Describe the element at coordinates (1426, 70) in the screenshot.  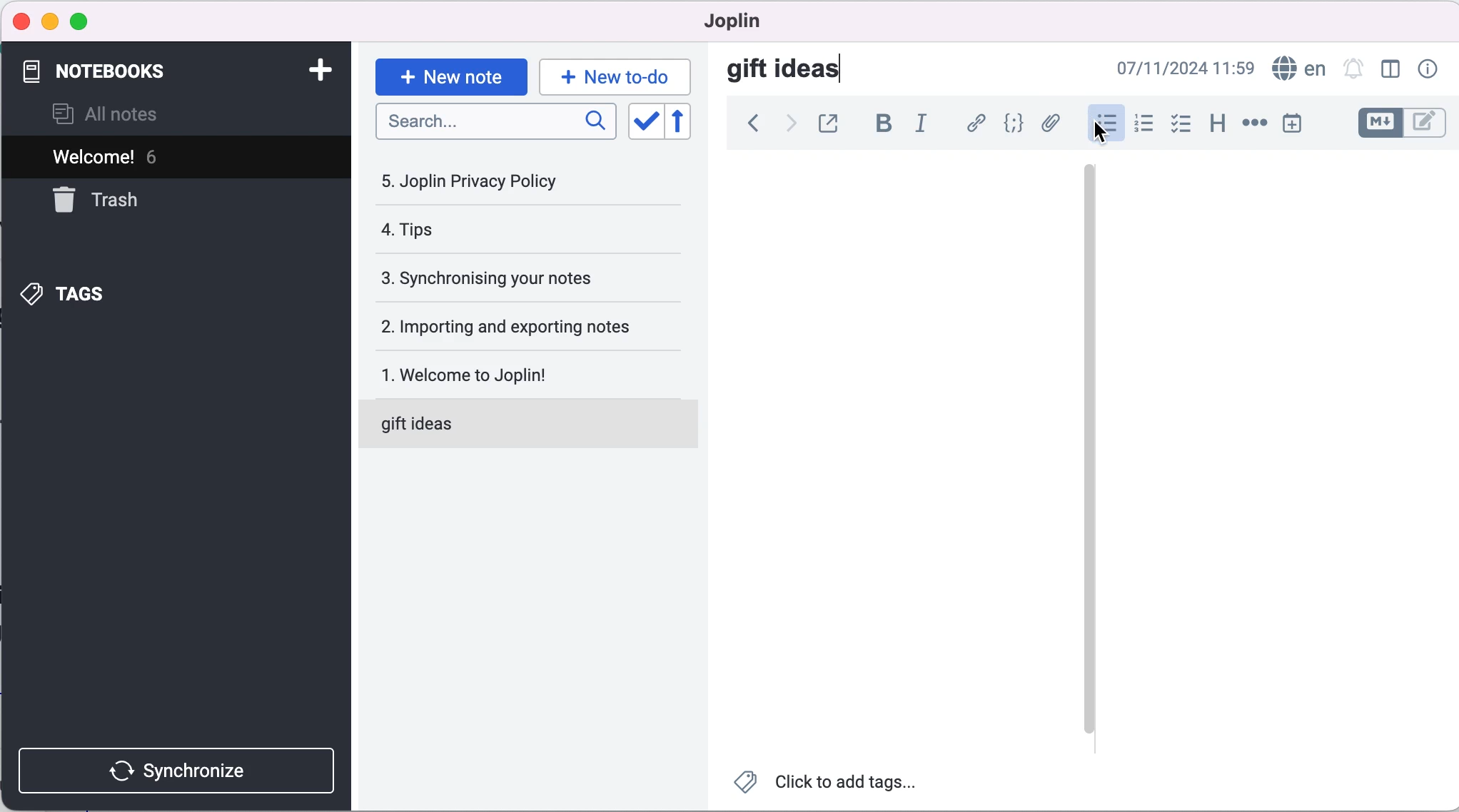
I see `note properties` at that location.